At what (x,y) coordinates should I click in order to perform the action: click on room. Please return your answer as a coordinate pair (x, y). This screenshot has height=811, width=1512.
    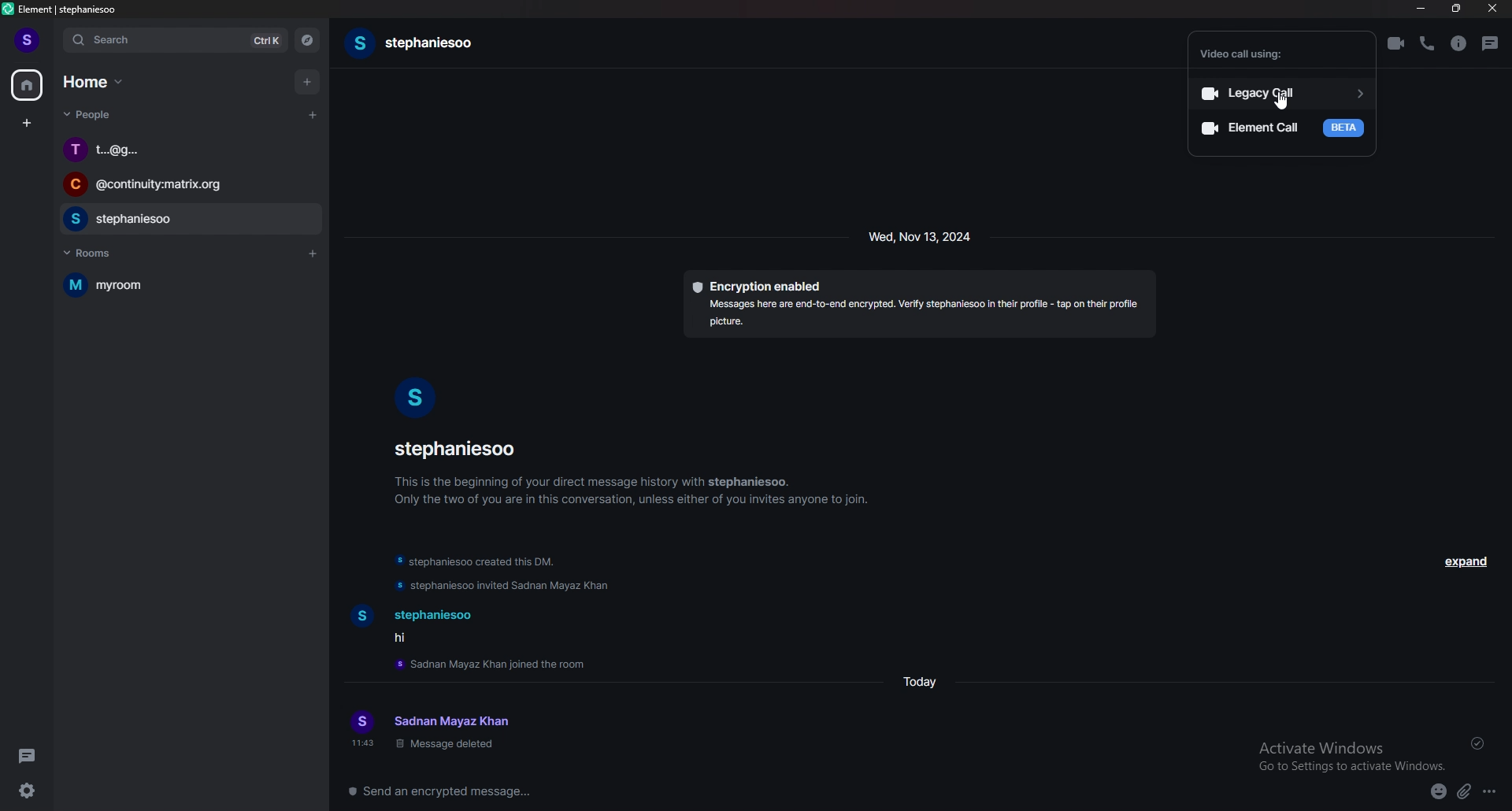
    Looking at the image, I should click on (184, 284).